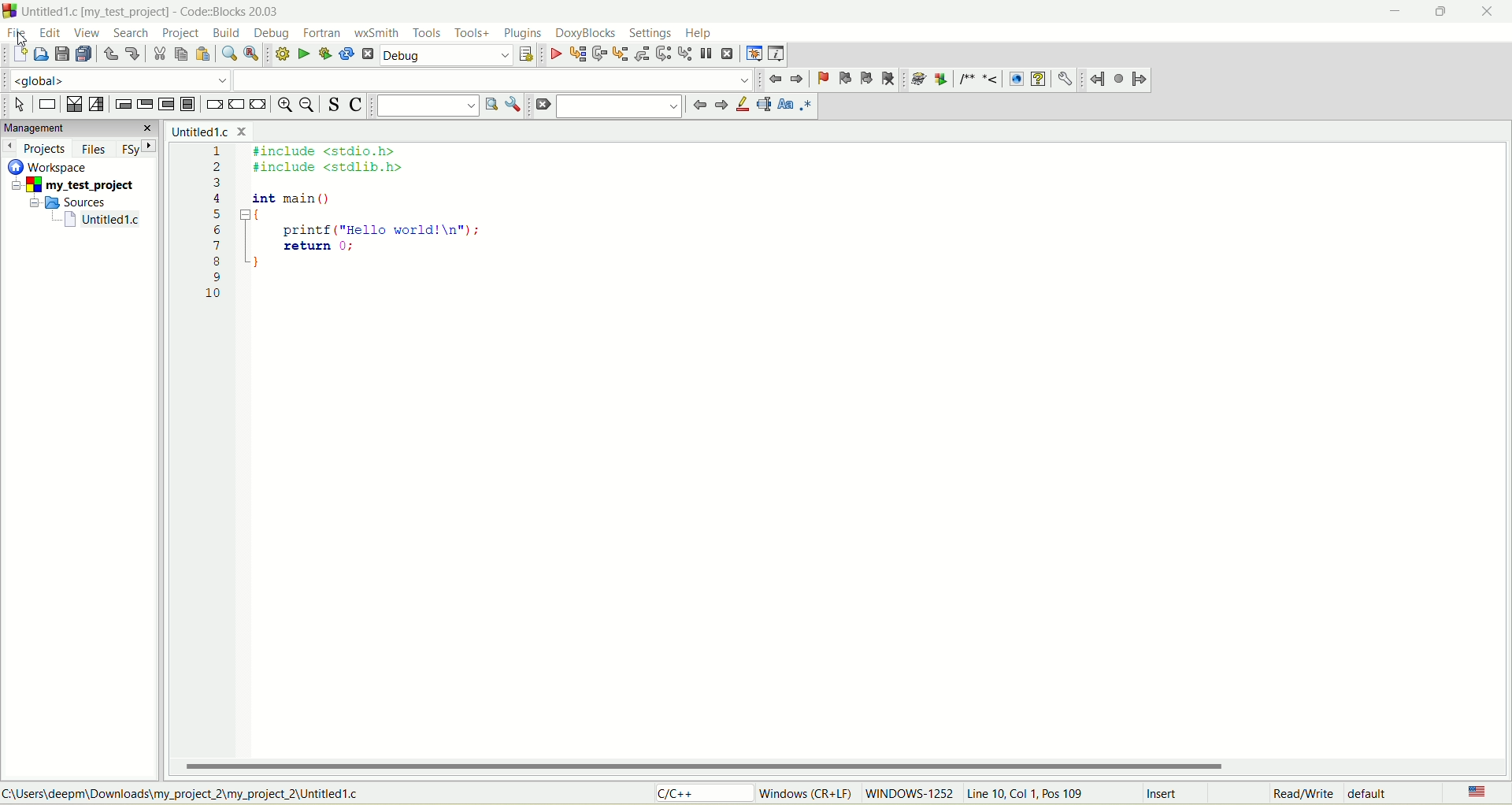 This screenshot has height=805, width=1512. What do you see at coordinates (542, 106) in the screenshot?
I see `clear` at bounding box center [542, 106].